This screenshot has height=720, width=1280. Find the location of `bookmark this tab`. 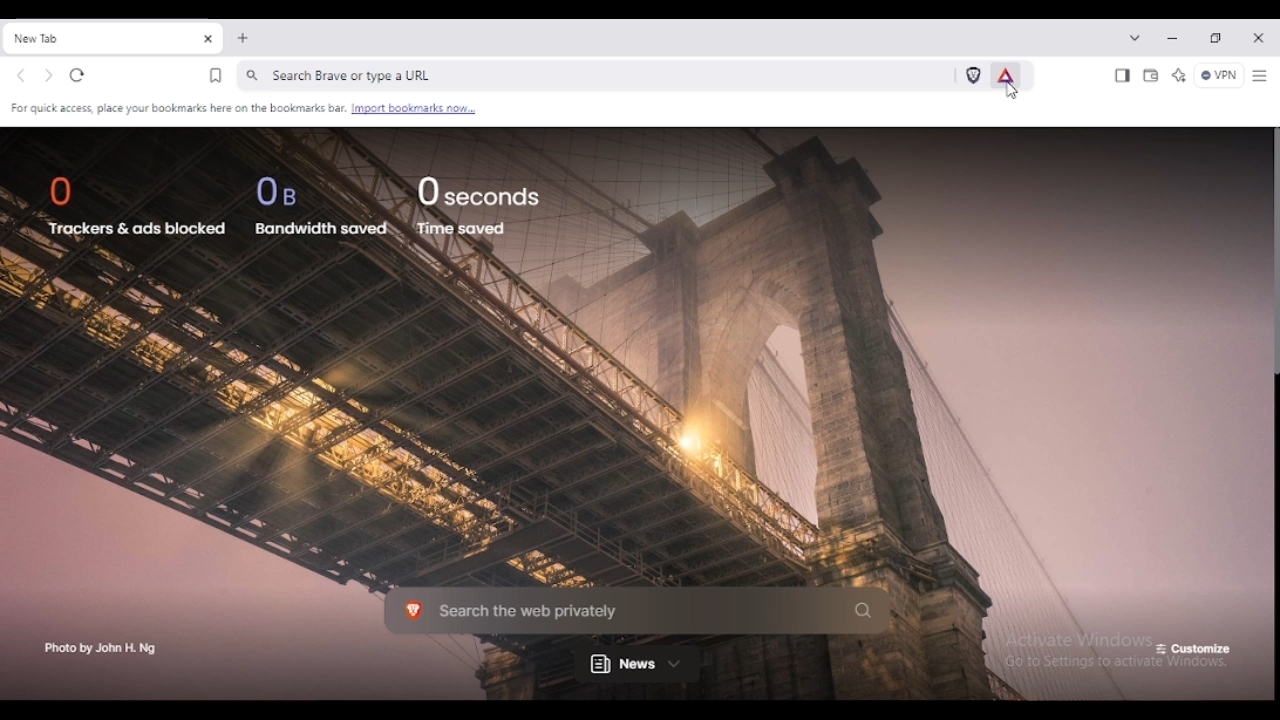

bookmark this tab is located at coordinates (216, 76).